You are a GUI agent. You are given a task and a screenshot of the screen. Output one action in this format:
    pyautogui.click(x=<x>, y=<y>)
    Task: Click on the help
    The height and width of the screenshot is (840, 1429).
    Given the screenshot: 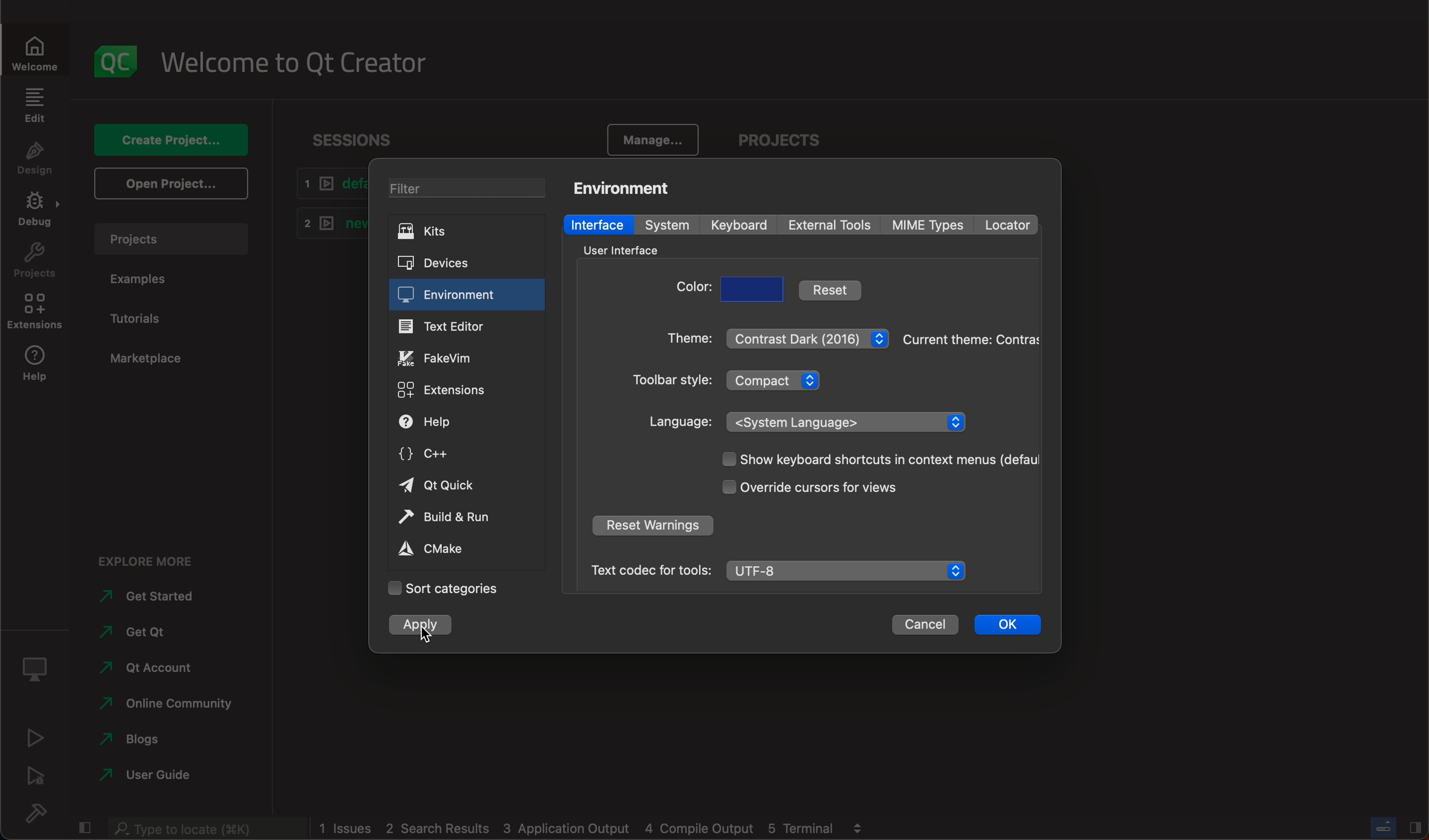 What is the action you would take?
    pyautogui.click(x=37, y=368)
    